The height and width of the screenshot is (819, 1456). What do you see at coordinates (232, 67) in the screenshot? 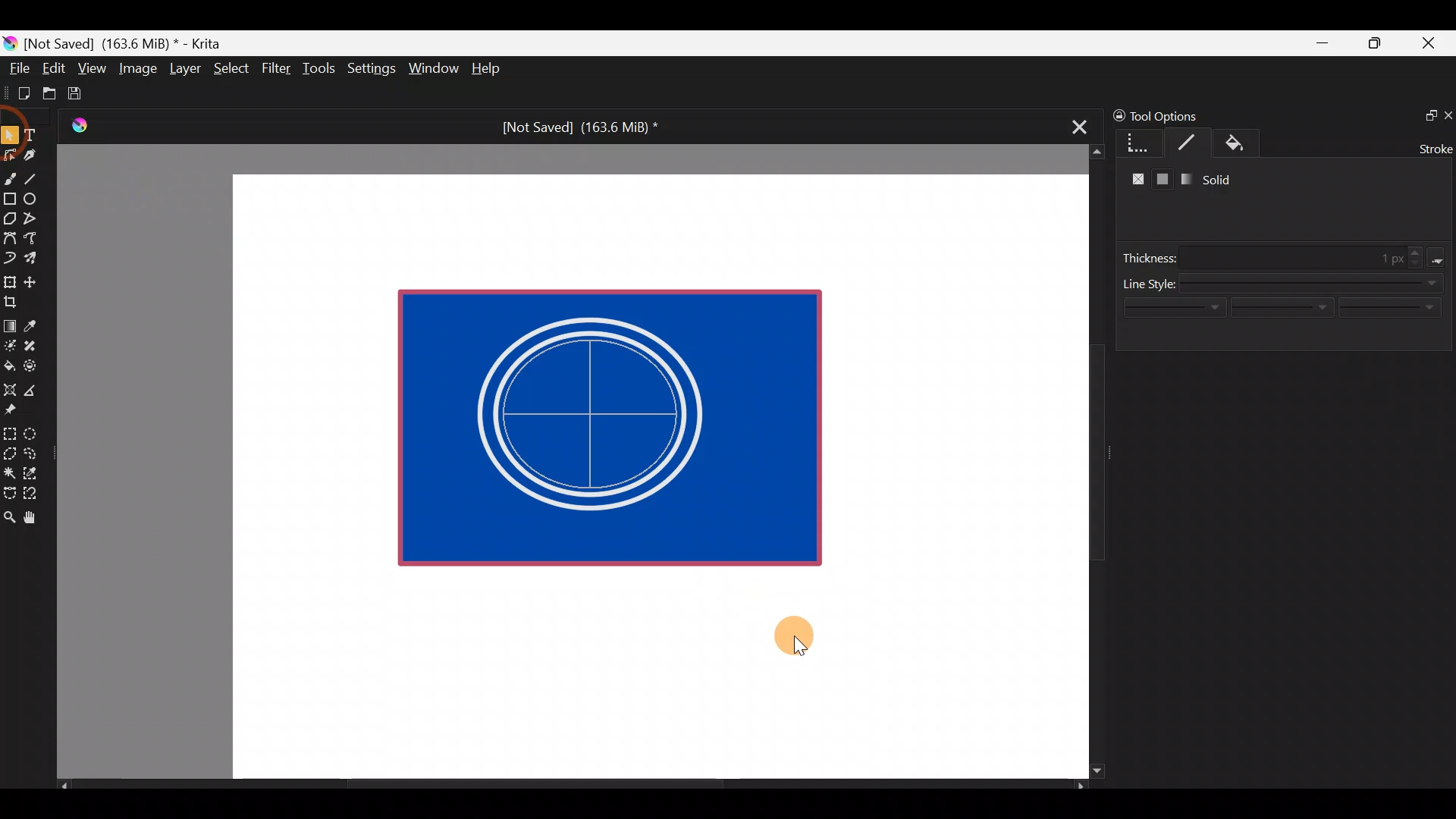
I see `Select` at bounding box center [232, 67].